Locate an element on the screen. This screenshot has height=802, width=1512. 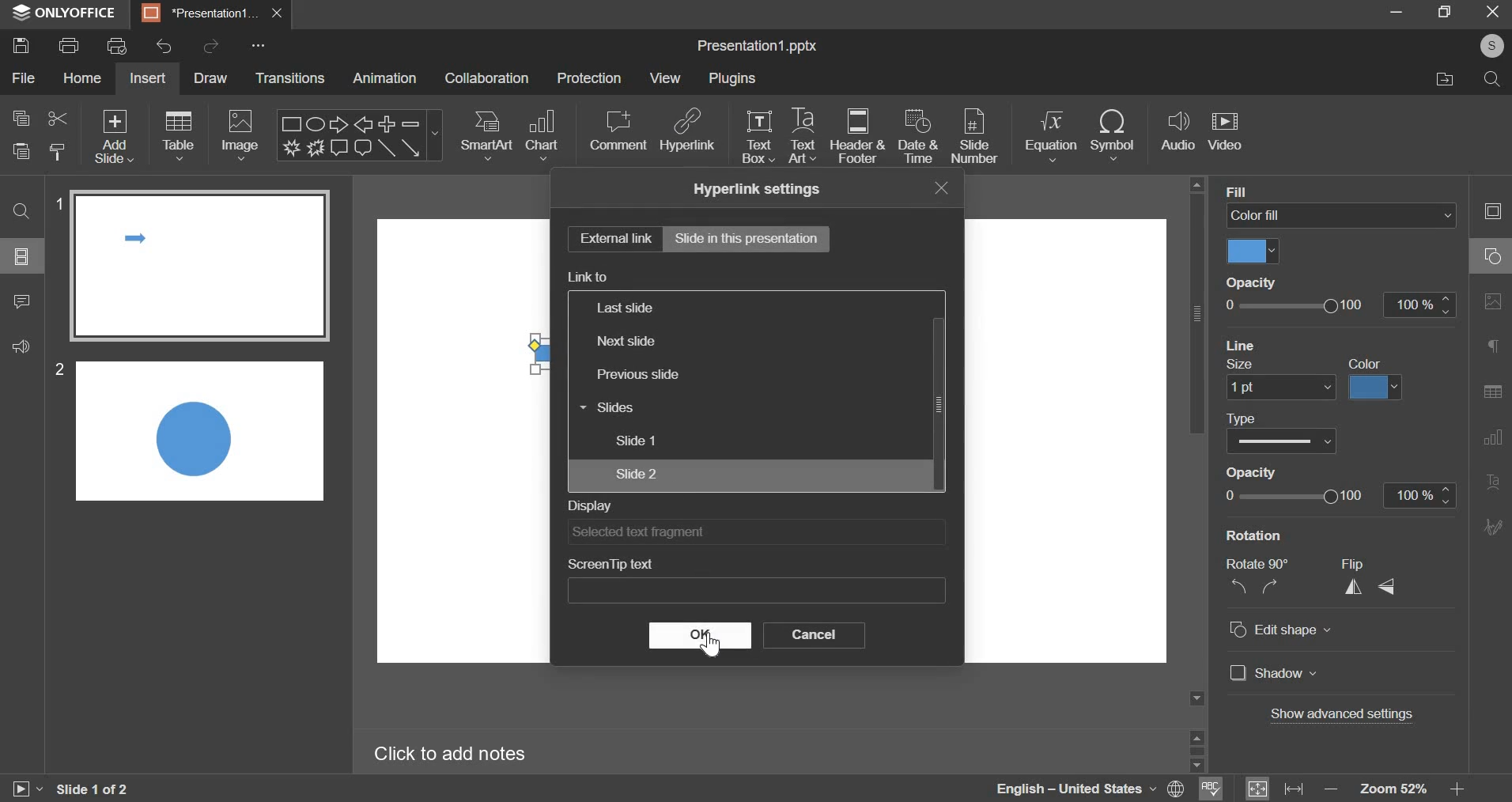
Shape settings is located at coordinates (1491, 253).